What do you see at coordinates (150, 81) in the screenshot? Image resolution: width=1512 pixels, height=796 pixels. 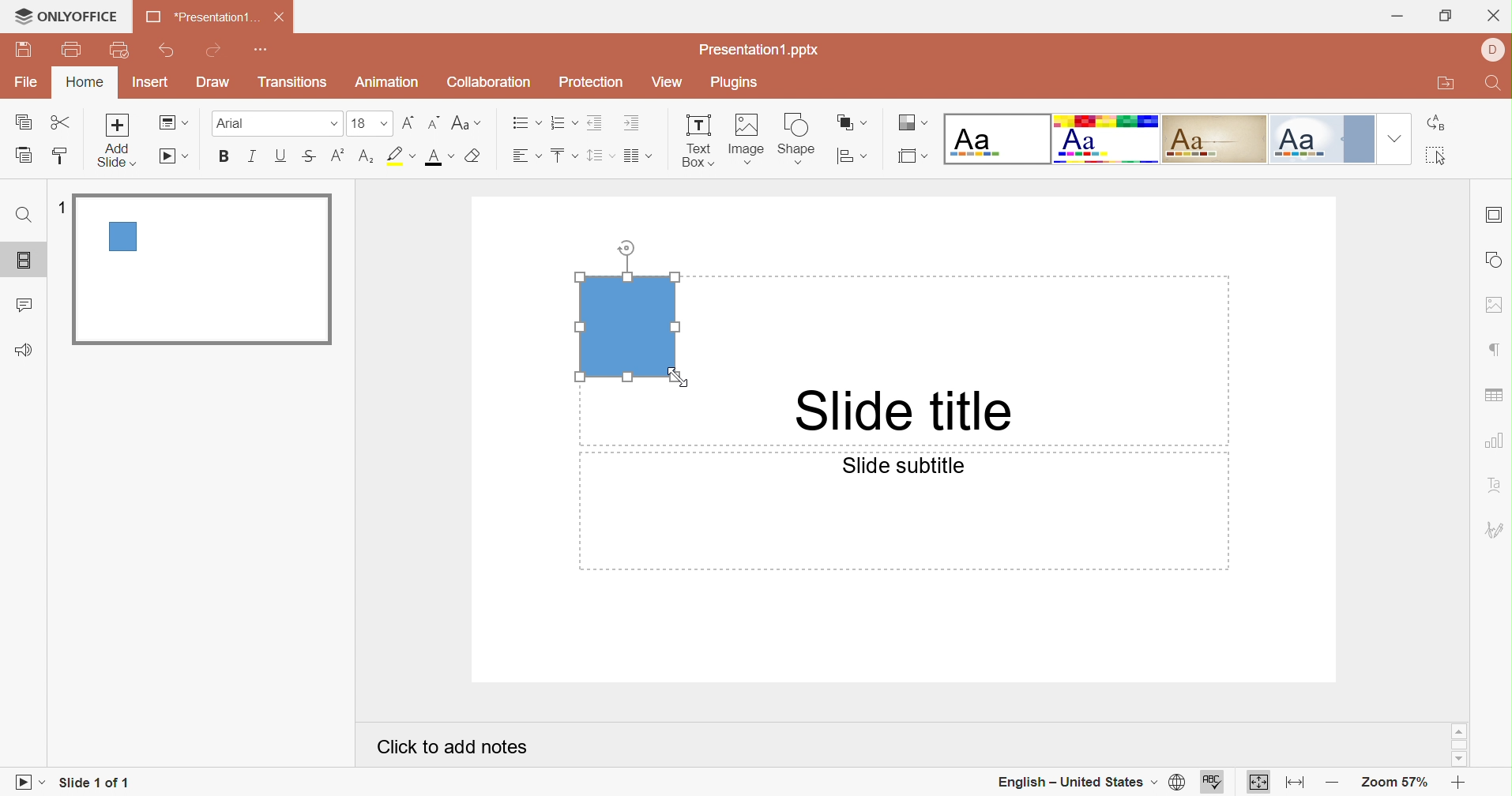 I see `Insert` at bounding box center [150, 81].